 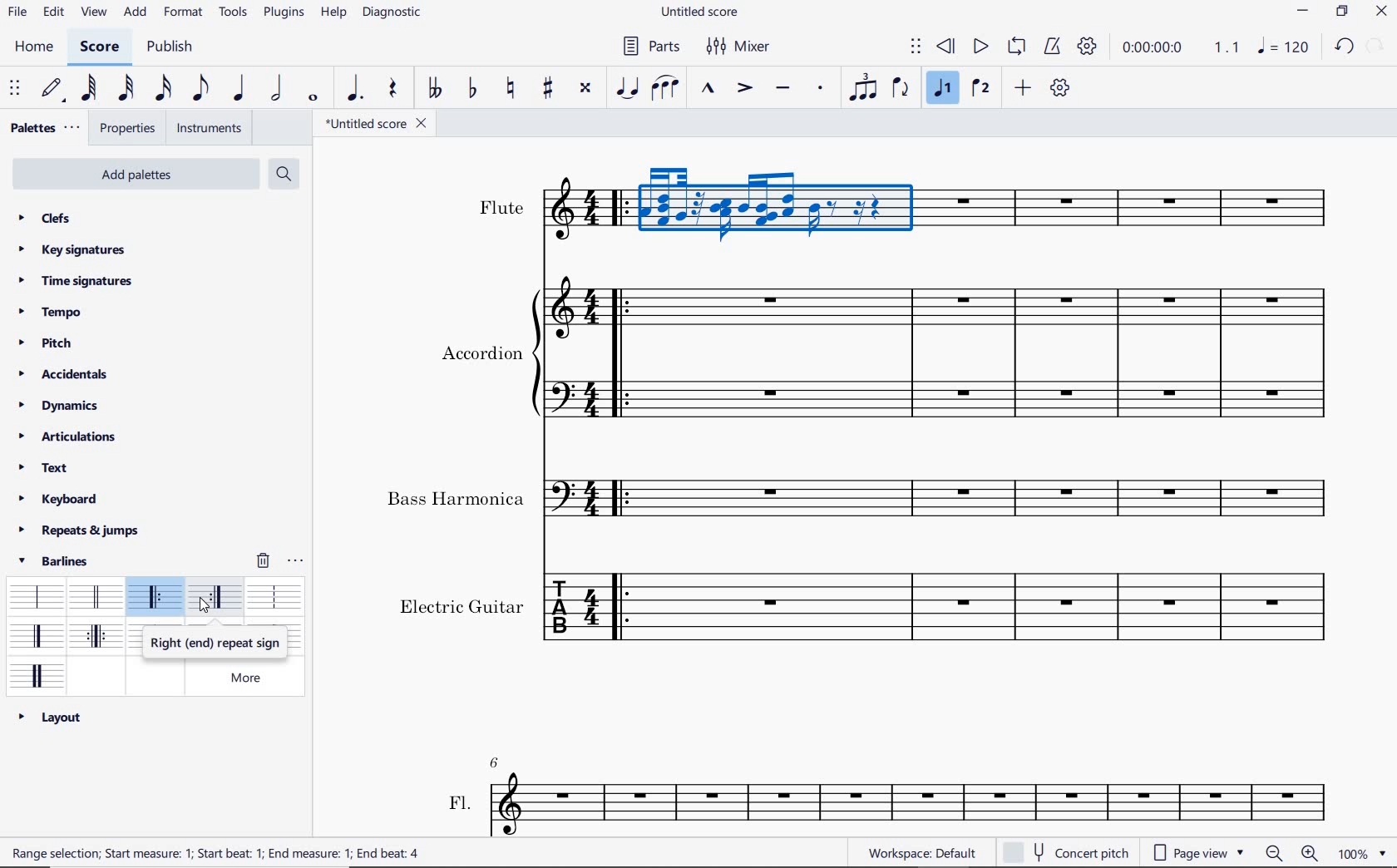 What do you see at coordinates (981, 201) in the screenshot?
I see `Instrument: Electric guitar` at bounding box center [981, 201].